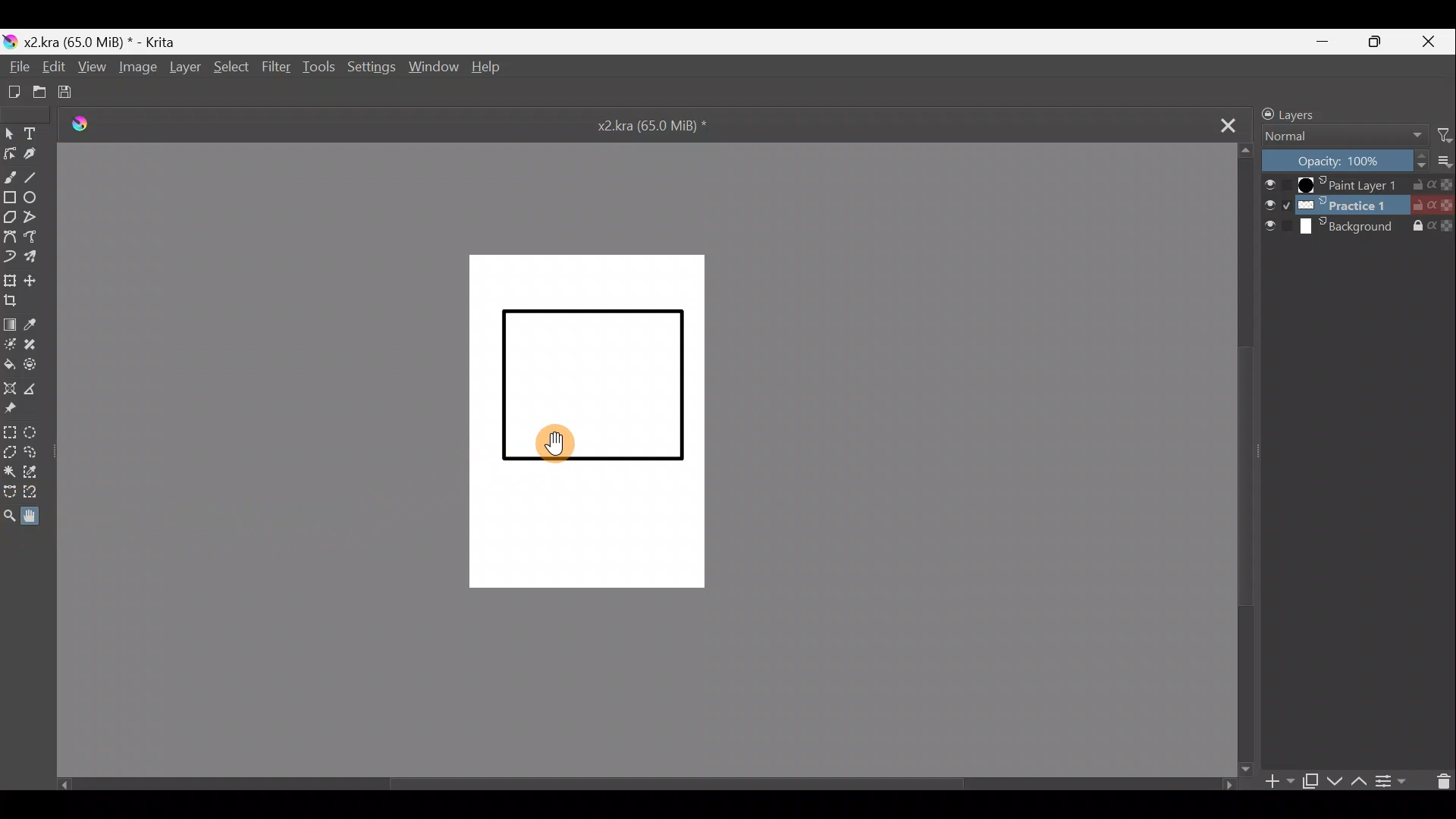  What do you see at coordinates (1218, 122) in the screenshot?
I see `Close tab` at bounding box center [1218, 122].